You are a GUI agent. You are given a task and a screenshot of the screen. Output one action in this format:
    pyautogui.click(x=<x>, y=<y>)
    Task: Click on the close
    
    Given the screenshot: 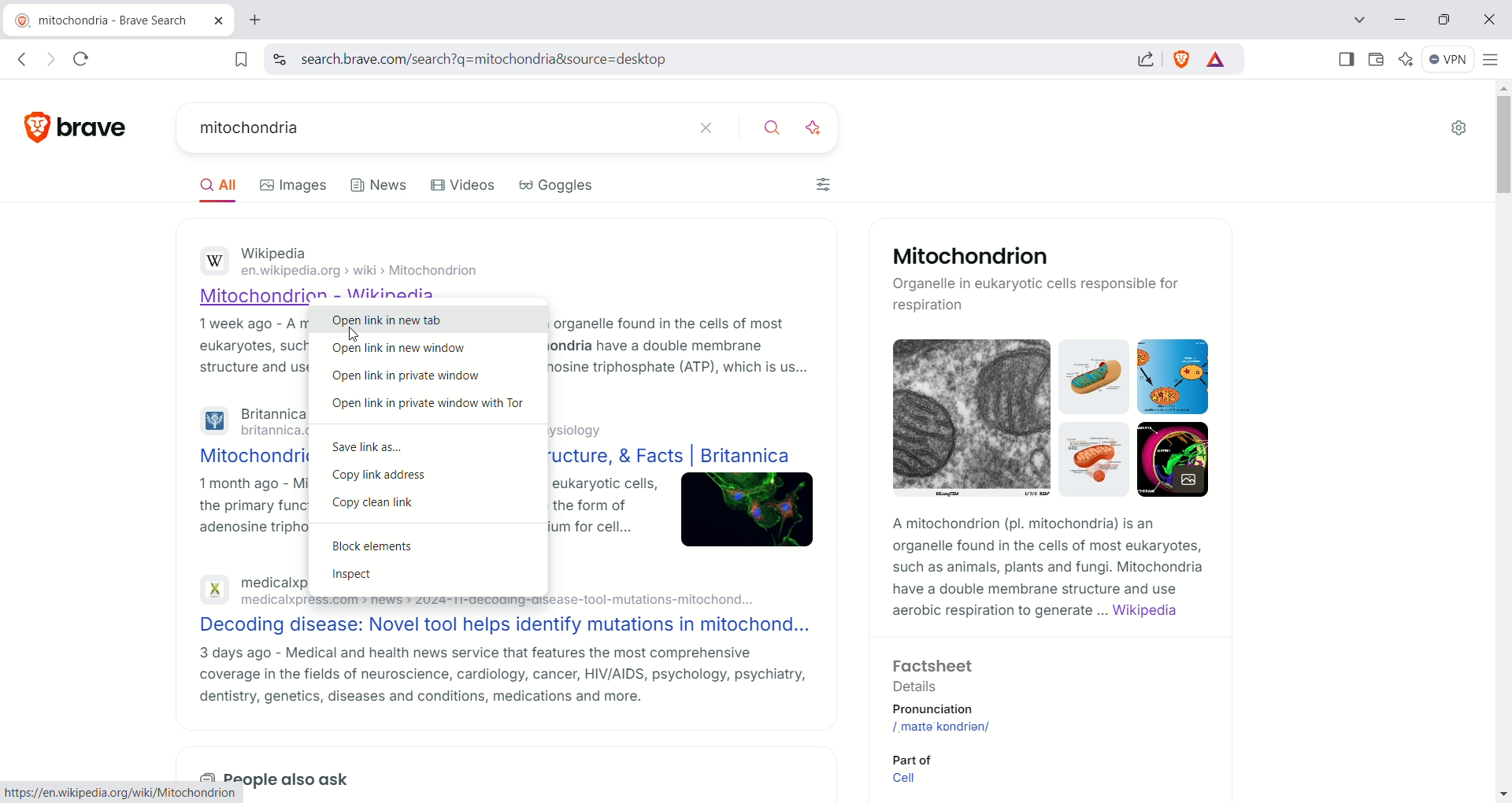 What is the action you would take?
    pyautogui.click(x=216, y=21)
    